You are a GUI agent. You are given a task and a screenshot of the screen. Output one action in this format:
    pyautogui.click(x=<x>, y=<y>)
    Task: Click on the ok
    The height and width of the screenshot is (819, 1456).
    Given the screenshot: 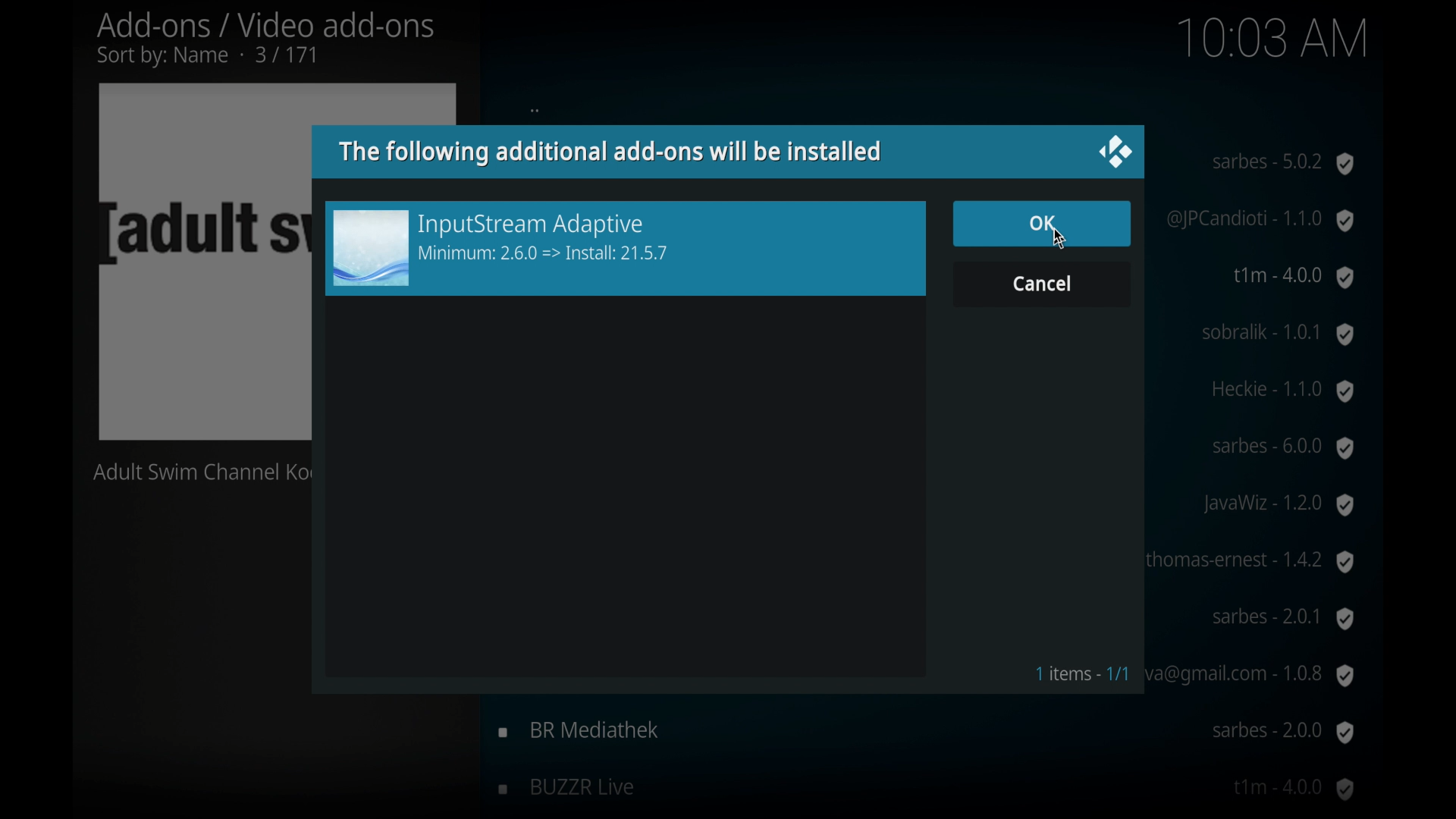 What is the action you would take?
    pyautogui.click(x=1043, y=224)
    